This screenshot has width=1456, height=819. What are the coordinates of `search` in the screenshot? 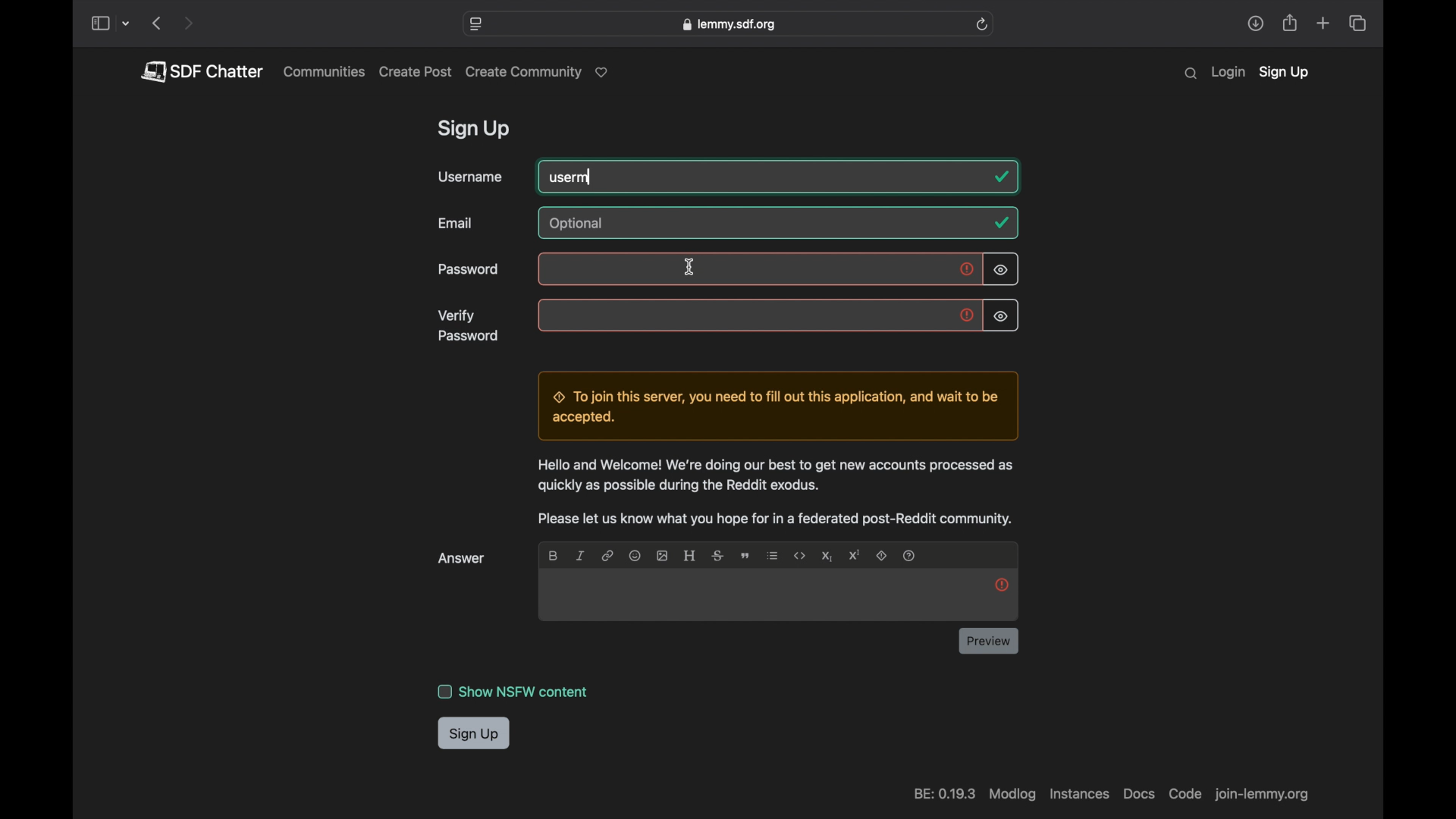 It's located at (1191, 74).